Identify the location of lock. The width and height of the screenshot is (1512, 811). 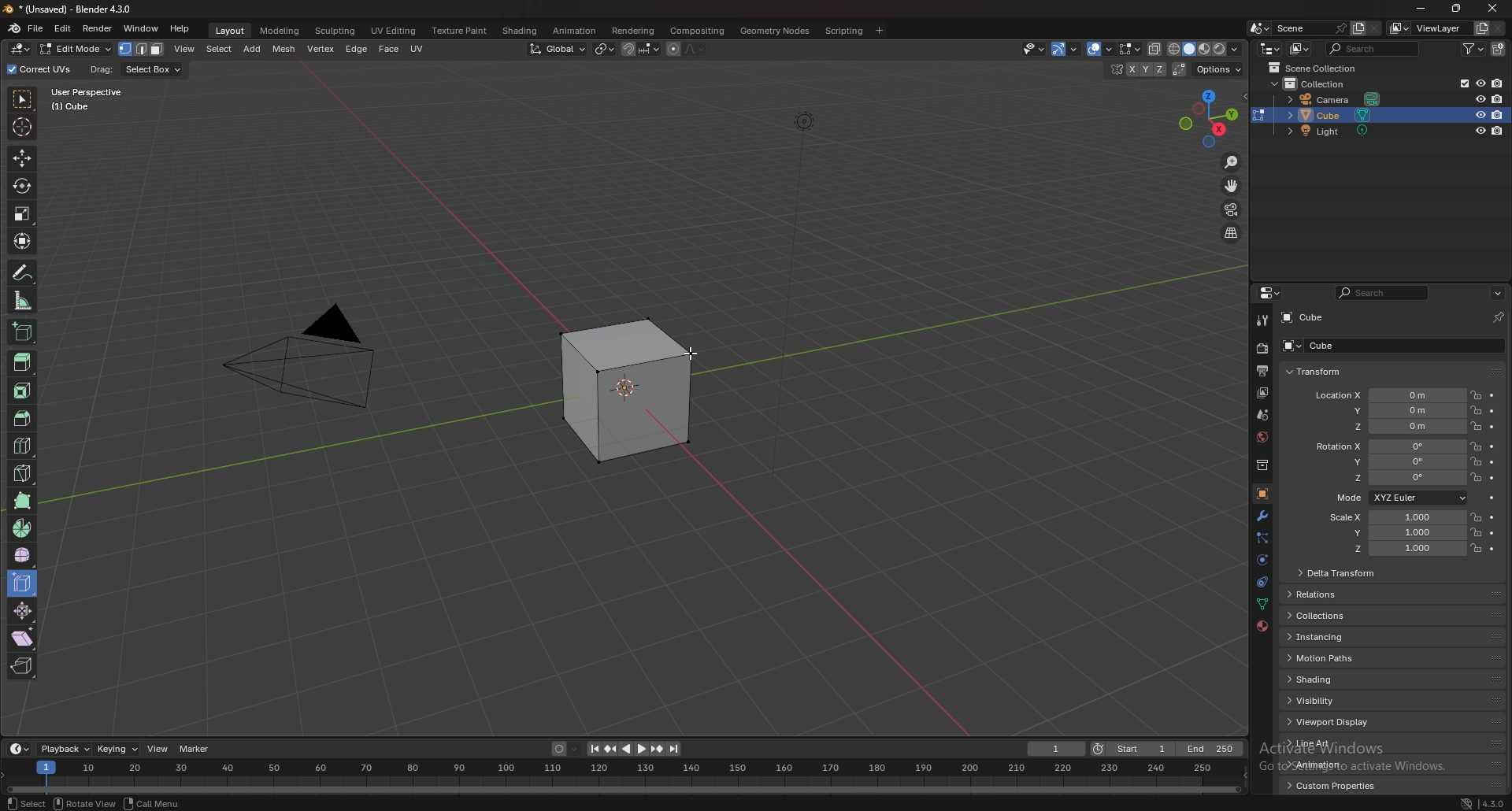
(1475, 462).